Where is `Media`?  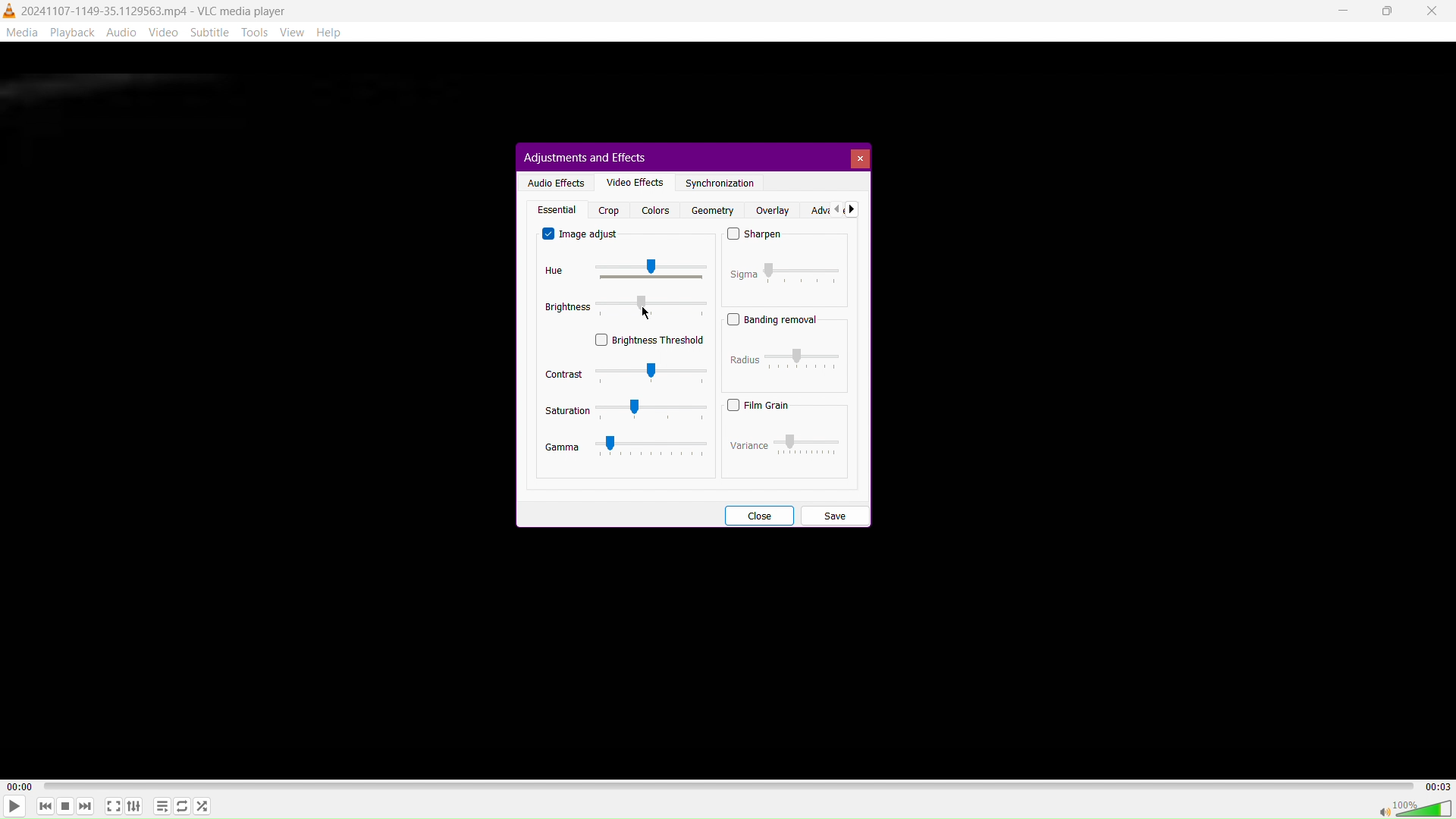
Media is located at coordinates (21, 31).